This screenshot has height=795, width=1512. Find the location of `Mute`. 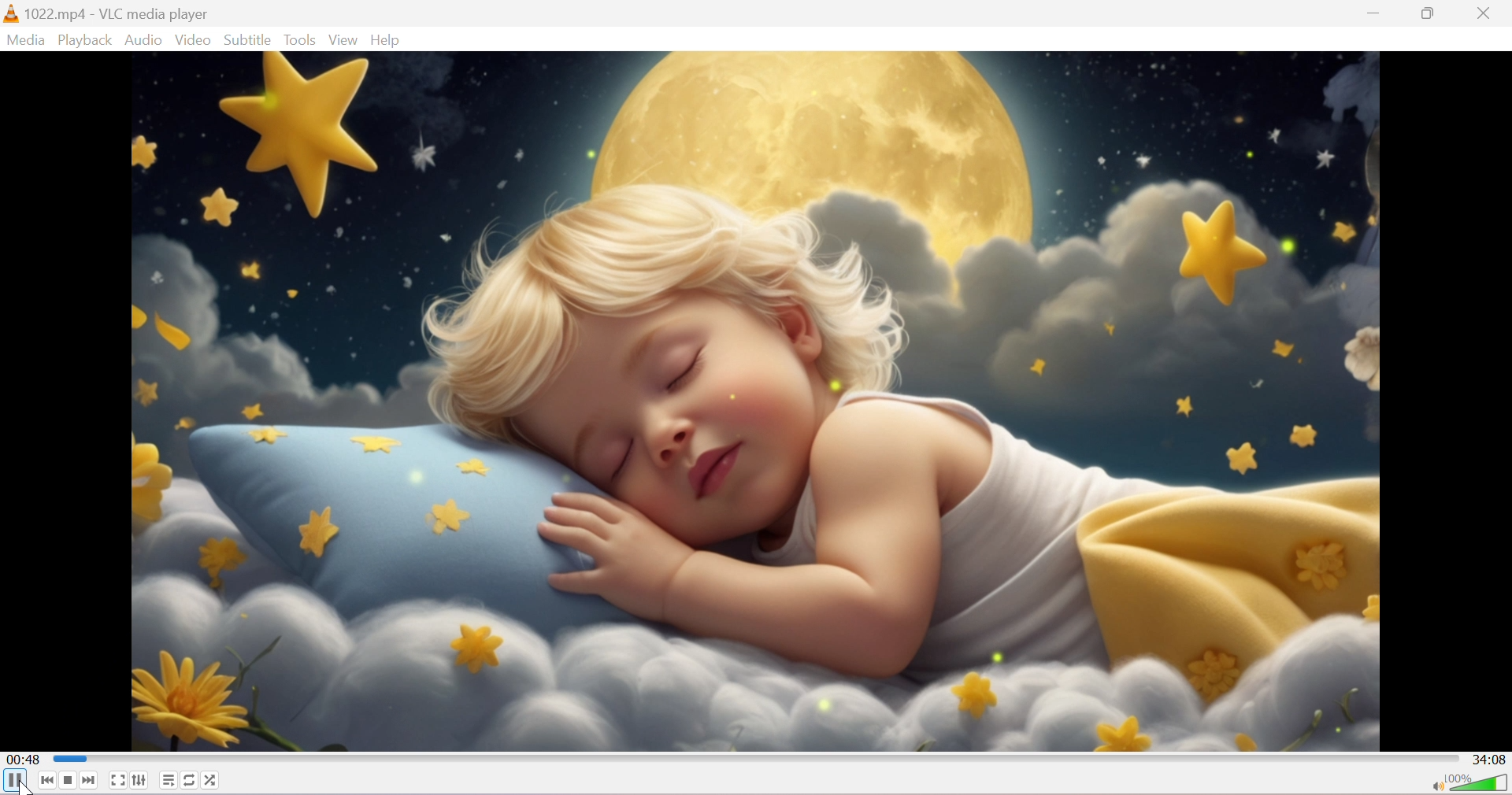

Mute is located at coordinates (1432, 786).